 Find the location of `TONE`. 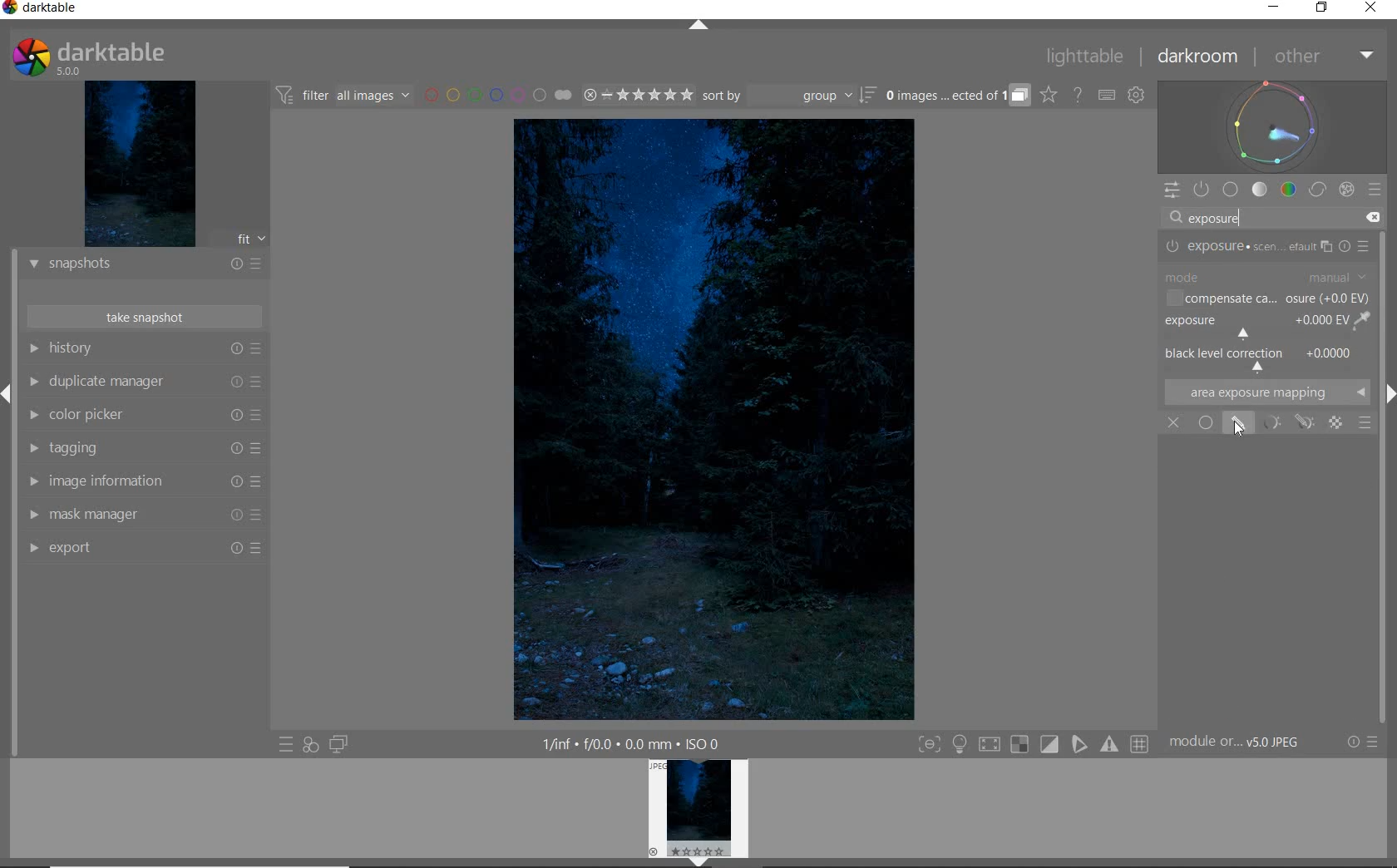

TONE is located at coordinates (1259, 190).